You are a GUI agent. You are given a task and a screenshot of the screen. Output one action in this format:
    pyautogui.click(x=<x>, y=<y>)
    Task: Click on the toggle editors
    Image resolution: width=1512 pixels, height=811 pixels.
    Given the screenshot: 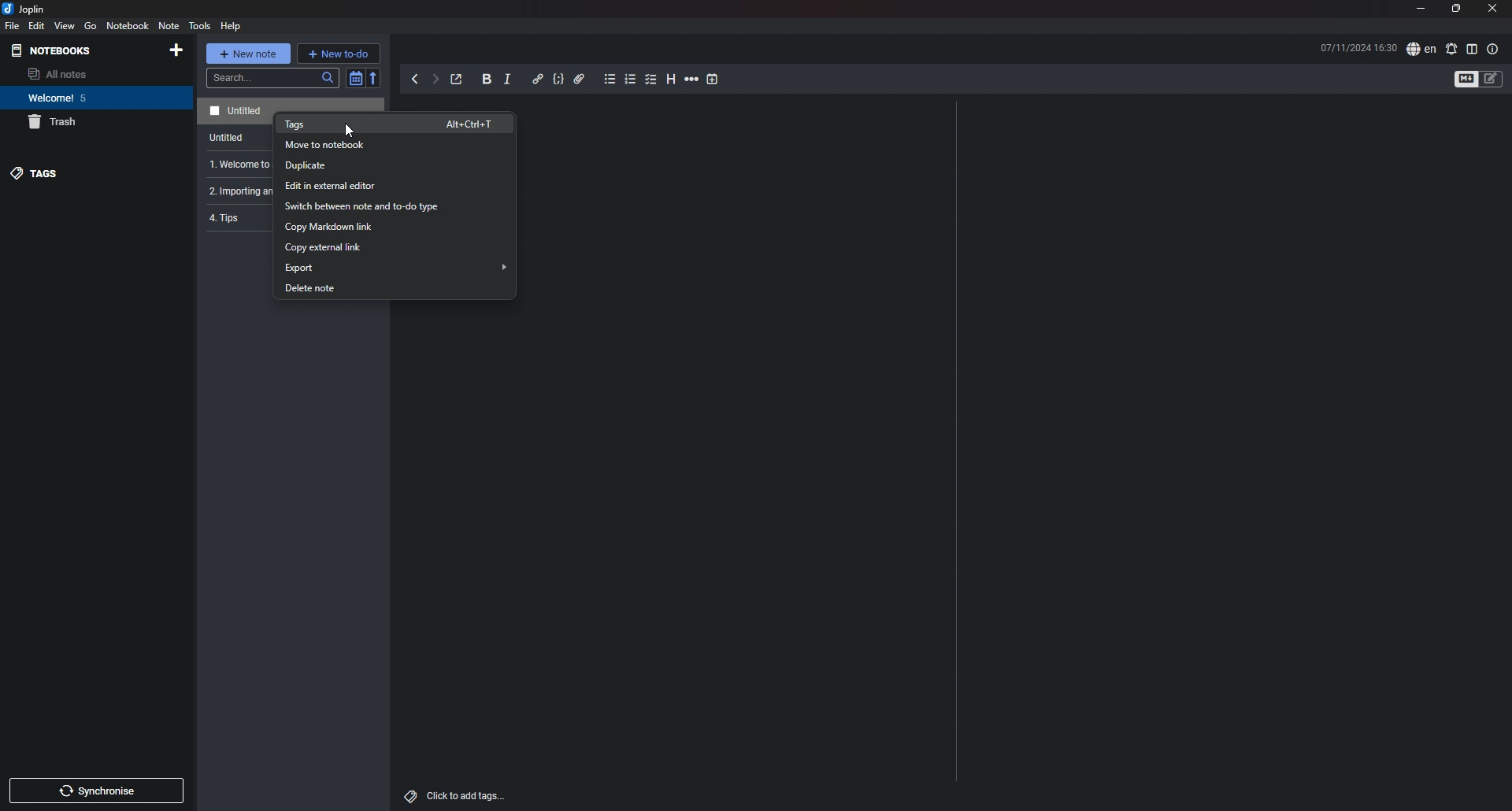 What is the action you would take?
    pyautogui.click(x=1466, y=80)
    